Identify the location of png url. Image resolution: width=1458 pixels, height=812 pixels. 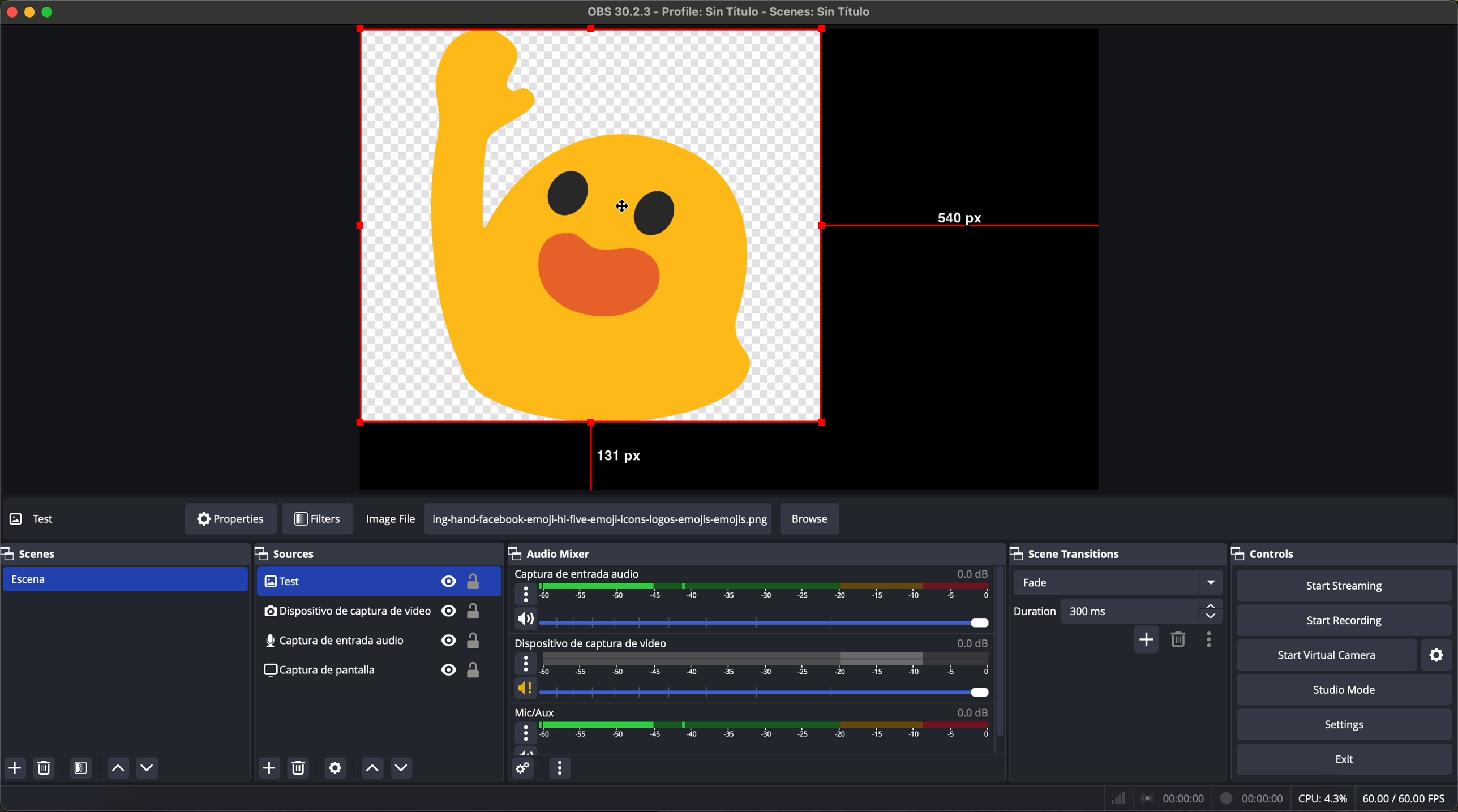
(598, 518).